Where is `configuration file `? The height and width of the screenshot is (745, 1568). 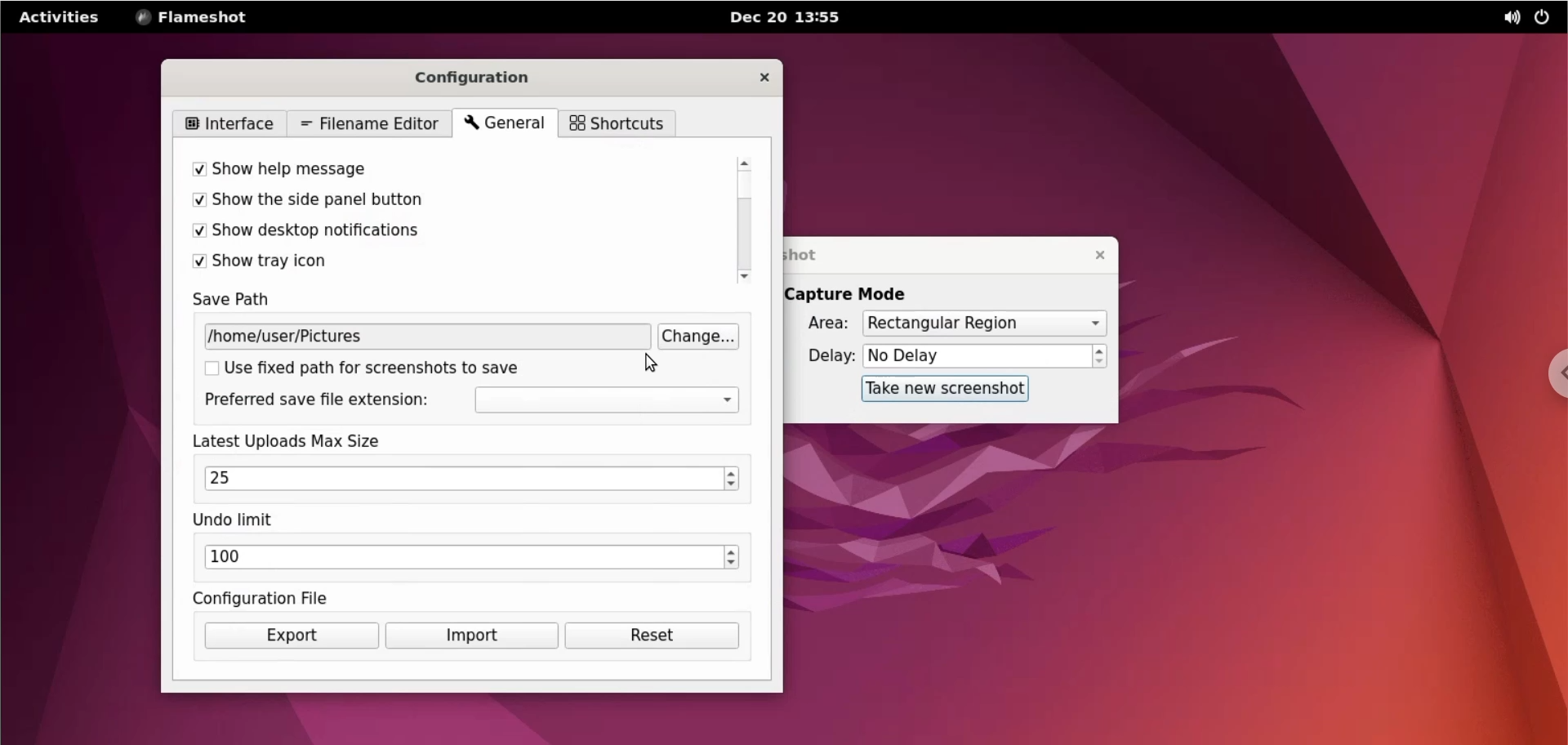 configuration file  is located at coordinates (287, 598).